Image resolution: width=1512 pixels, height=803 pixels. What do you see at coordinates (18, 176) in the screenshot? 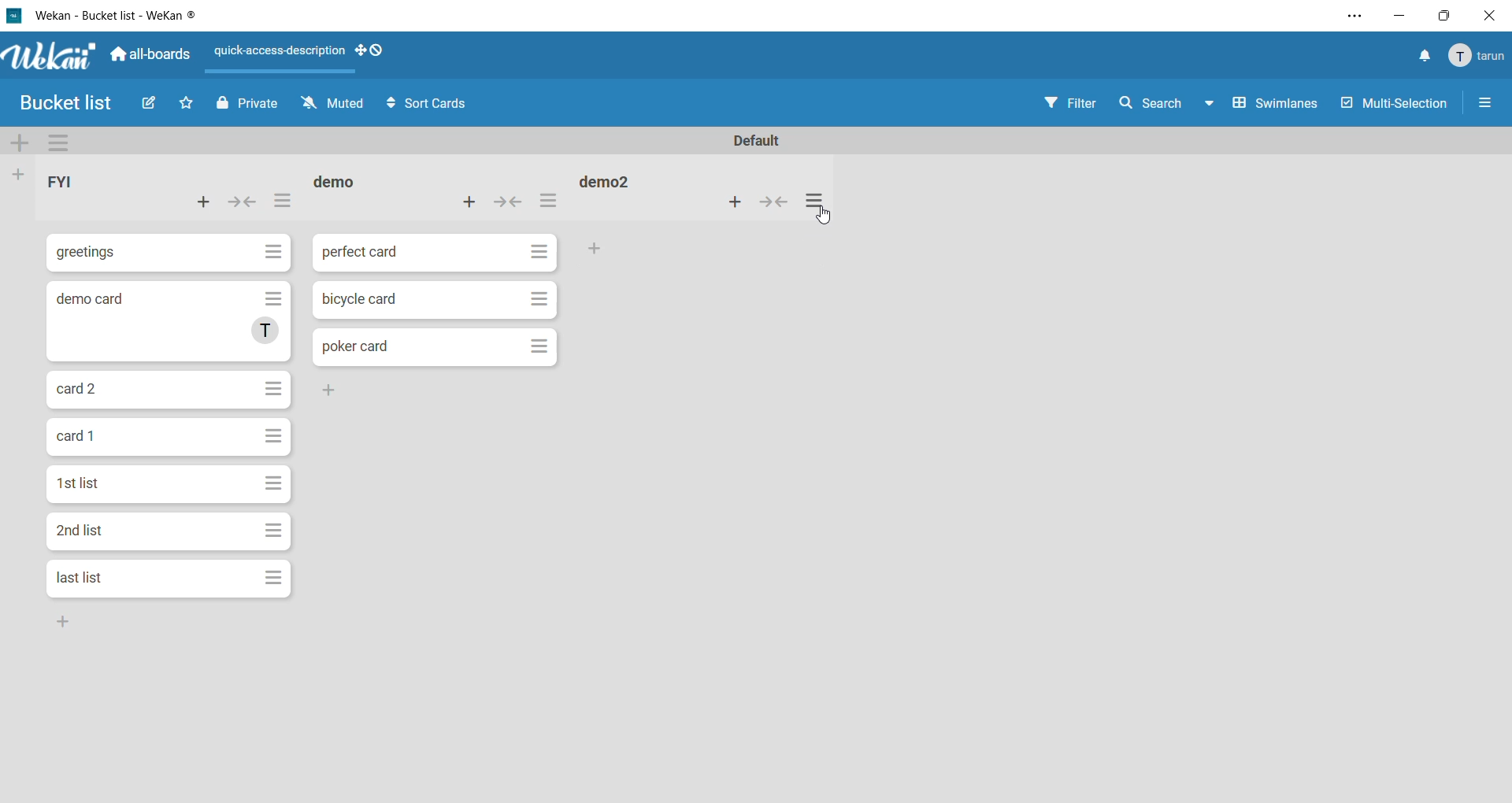
I see `add list` at bounding box center [18, 176].